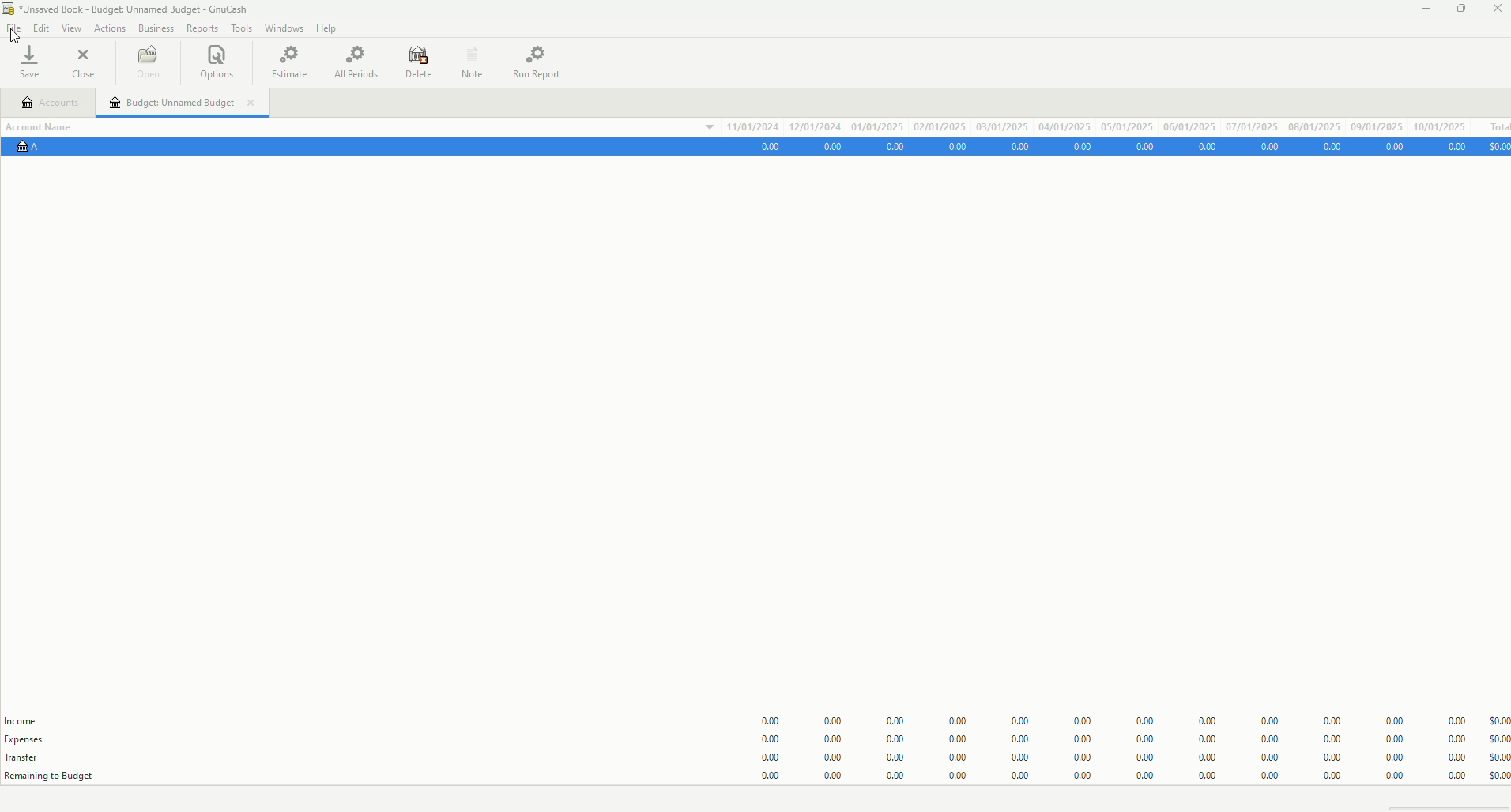  I want to click on Business, so click(155, 26).